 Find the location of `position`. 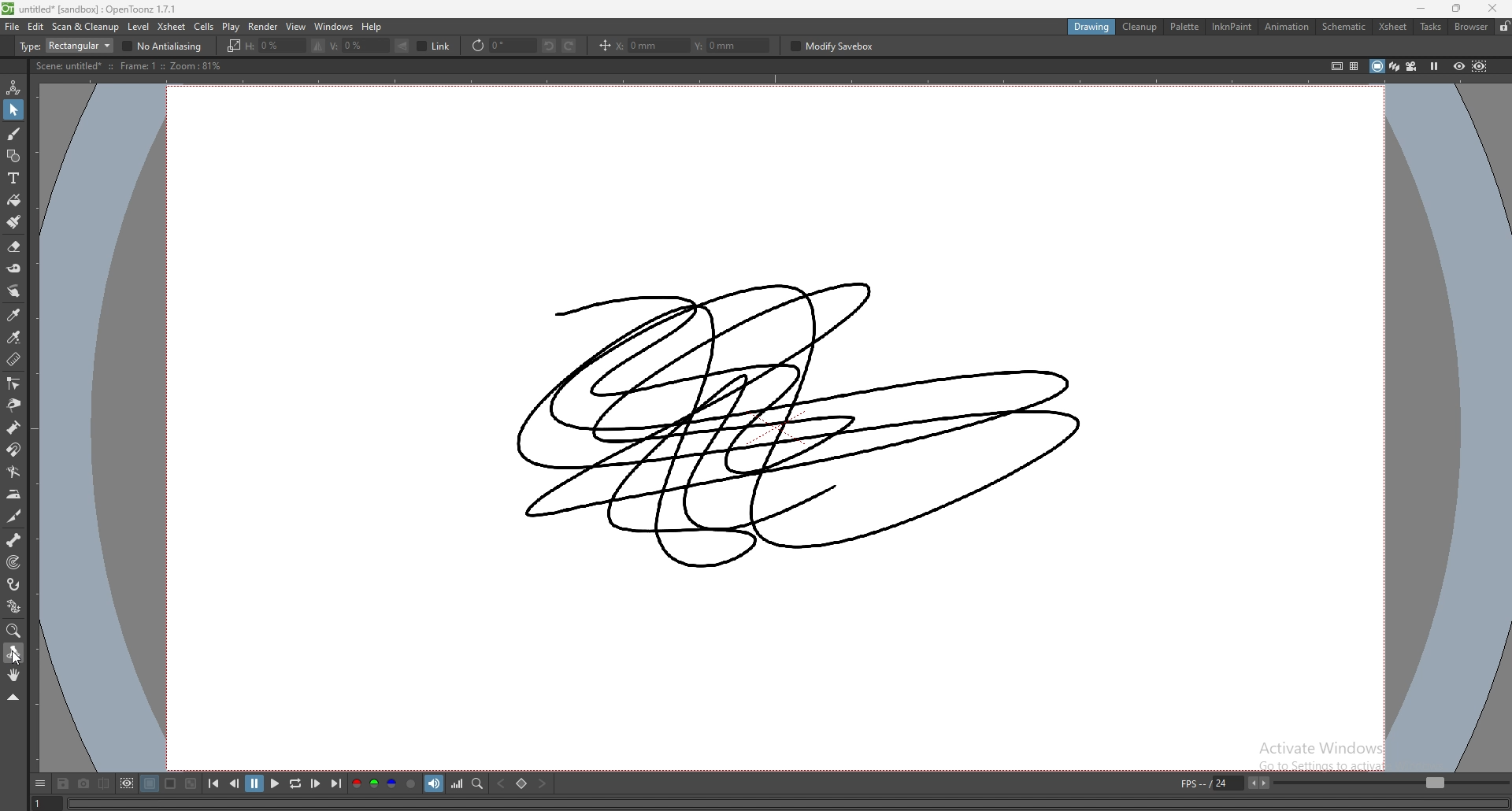

position is located at coordinates (602, 46).